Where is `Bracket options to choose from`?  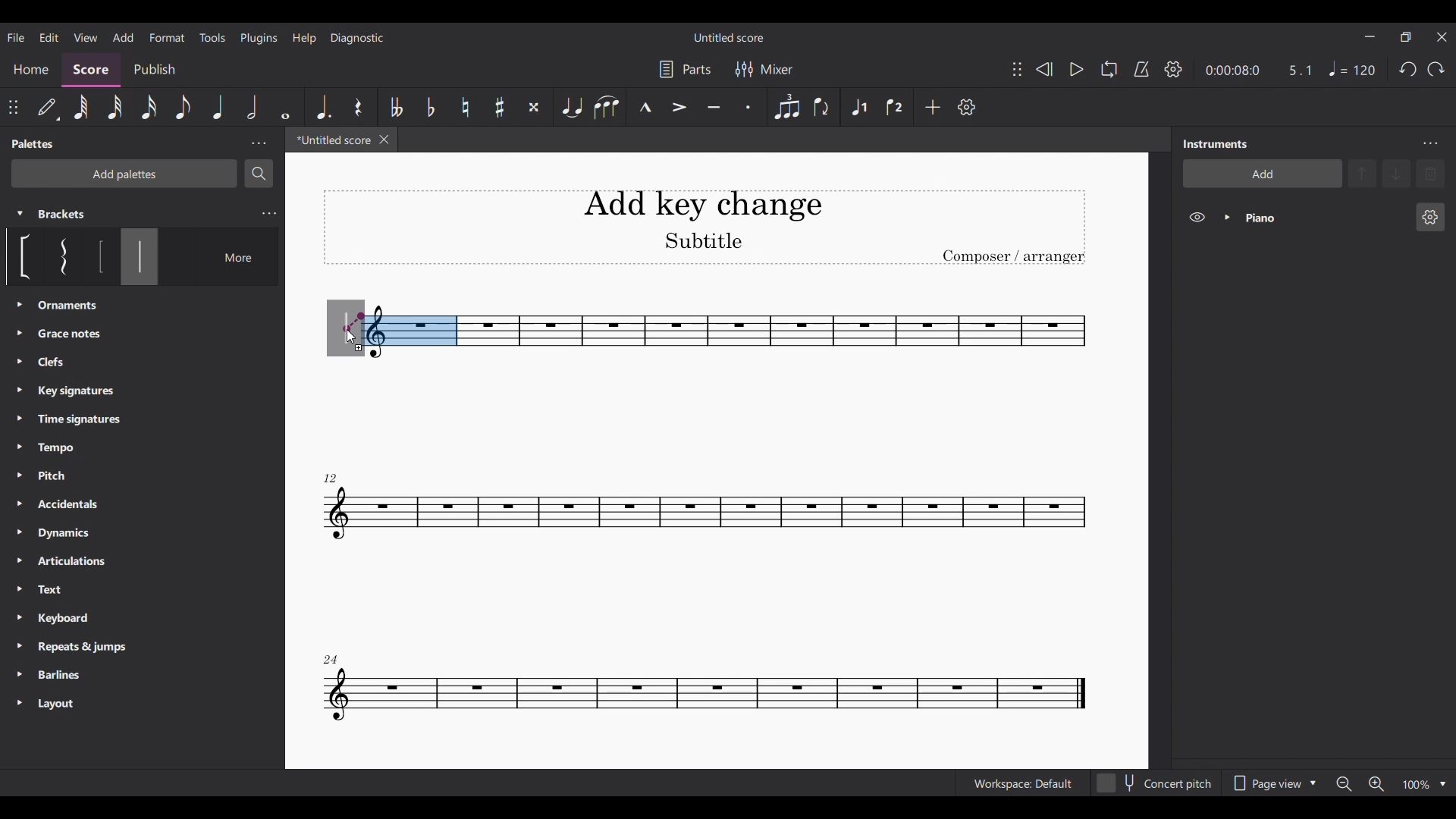 Bracket options to choose from is located at coordinates (56, 256).